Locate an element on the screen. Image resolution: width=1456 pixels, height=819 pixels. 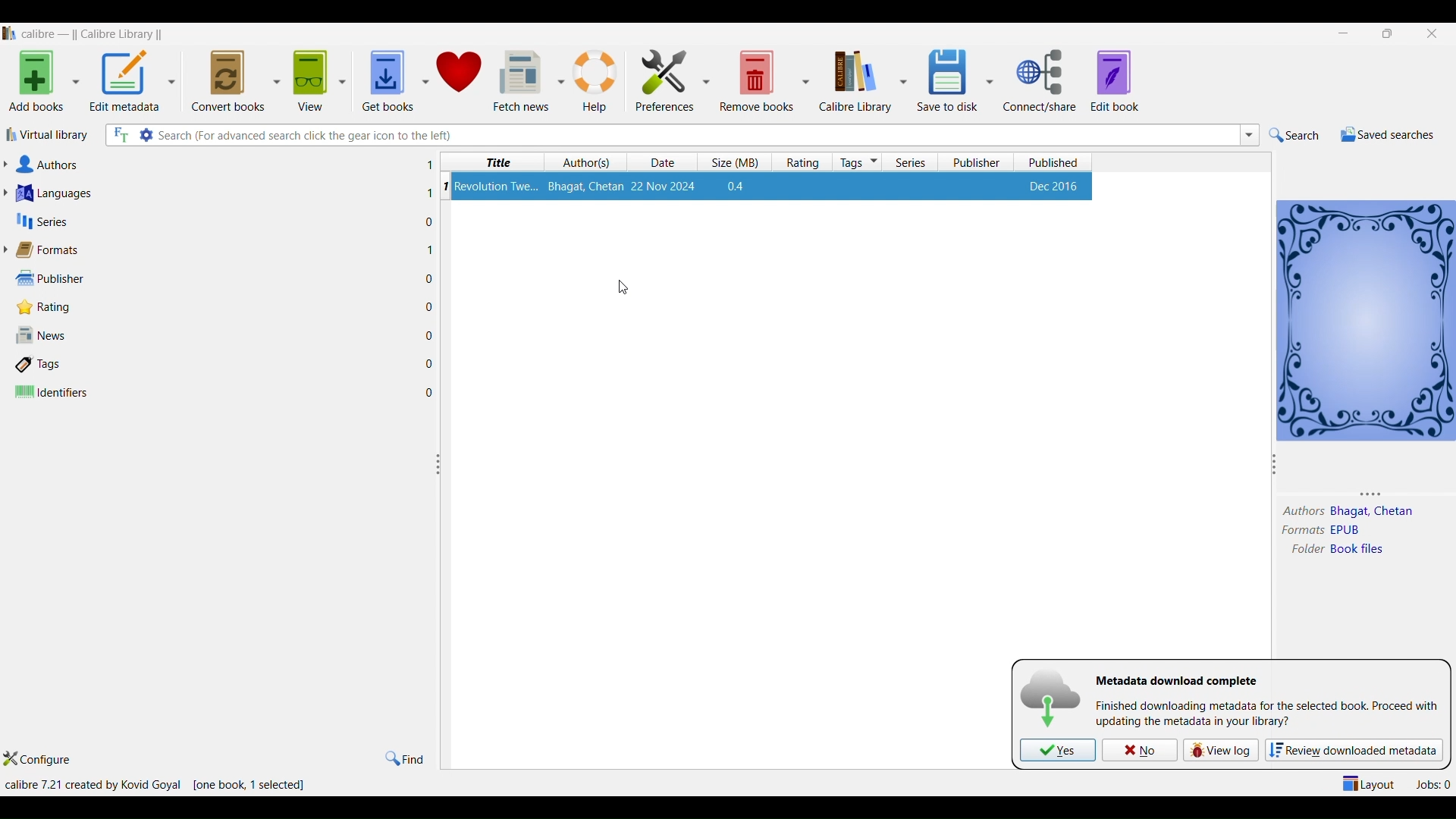
calibre version and creator is located at coordinates (92, 783).